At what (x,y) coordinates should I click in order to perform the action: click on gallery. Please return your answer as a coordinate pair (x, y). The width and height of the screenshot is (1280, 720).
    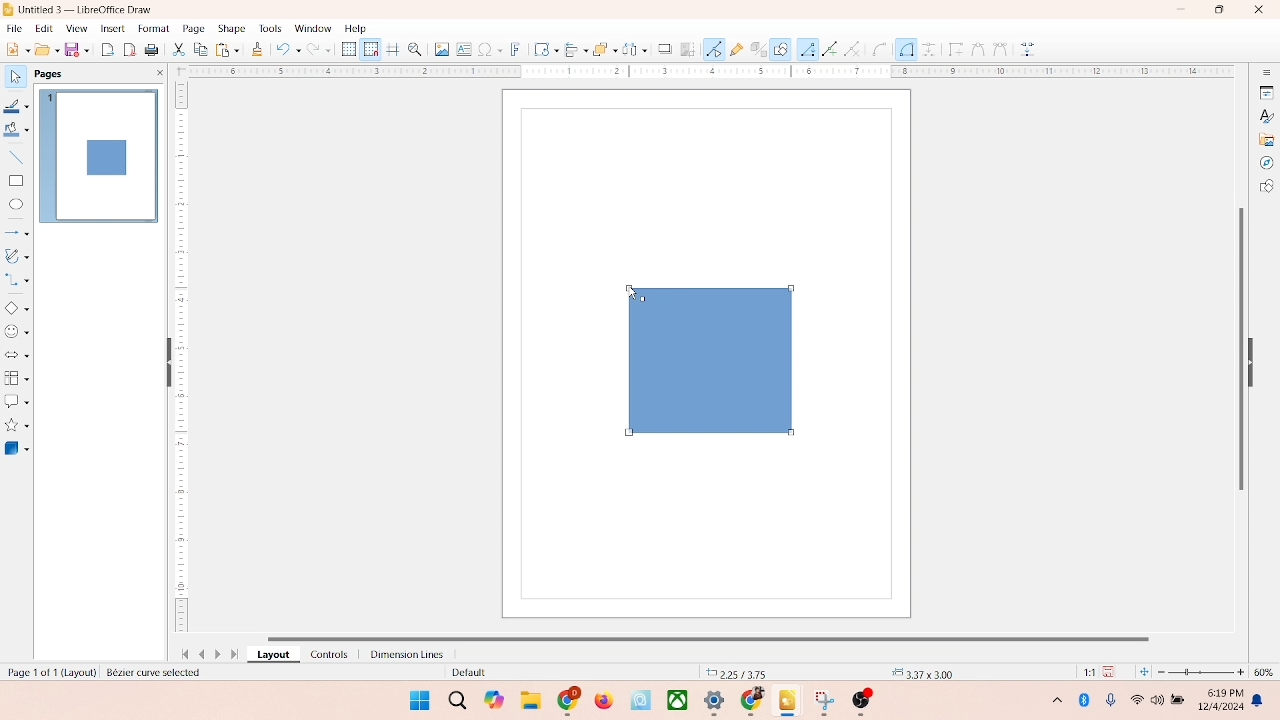
    Looking at the image, I should click on (1267, 138).